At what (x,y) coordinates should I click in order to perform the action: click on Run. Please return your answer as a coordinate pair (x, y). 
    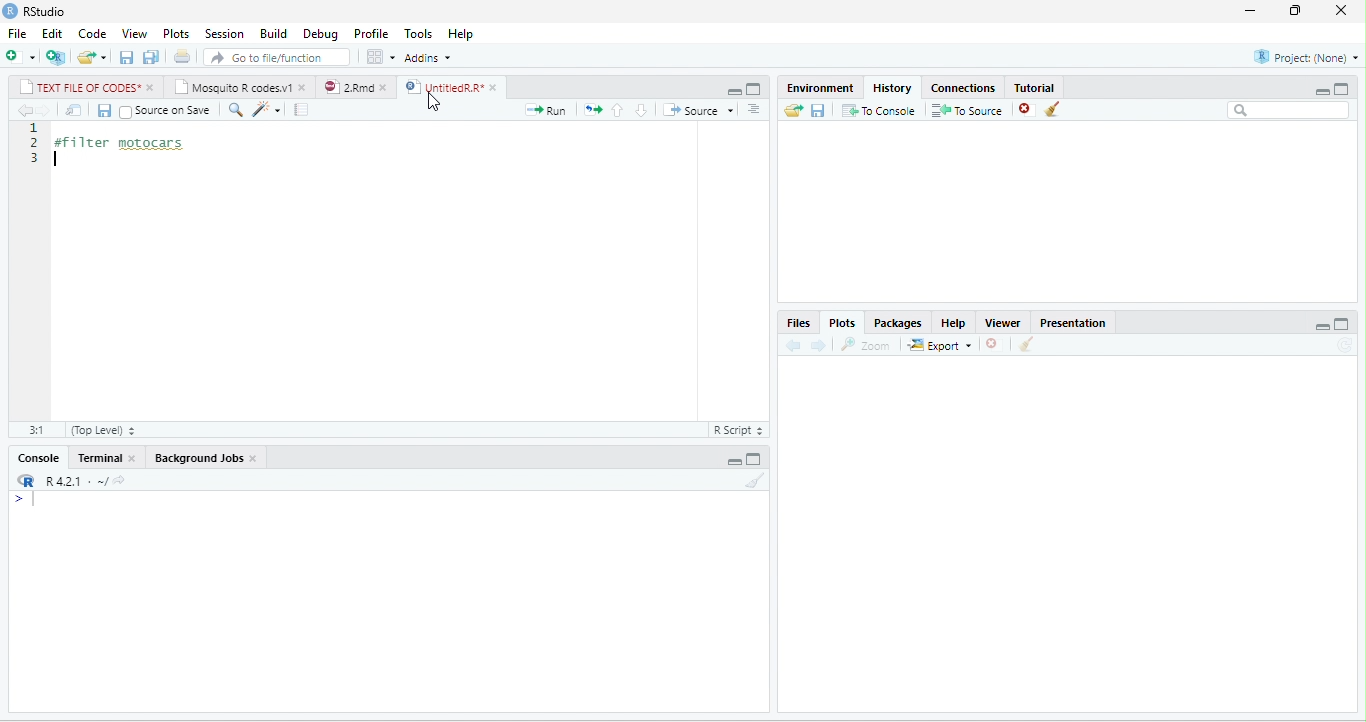
    Looking at the image, I should click on (545, 110).